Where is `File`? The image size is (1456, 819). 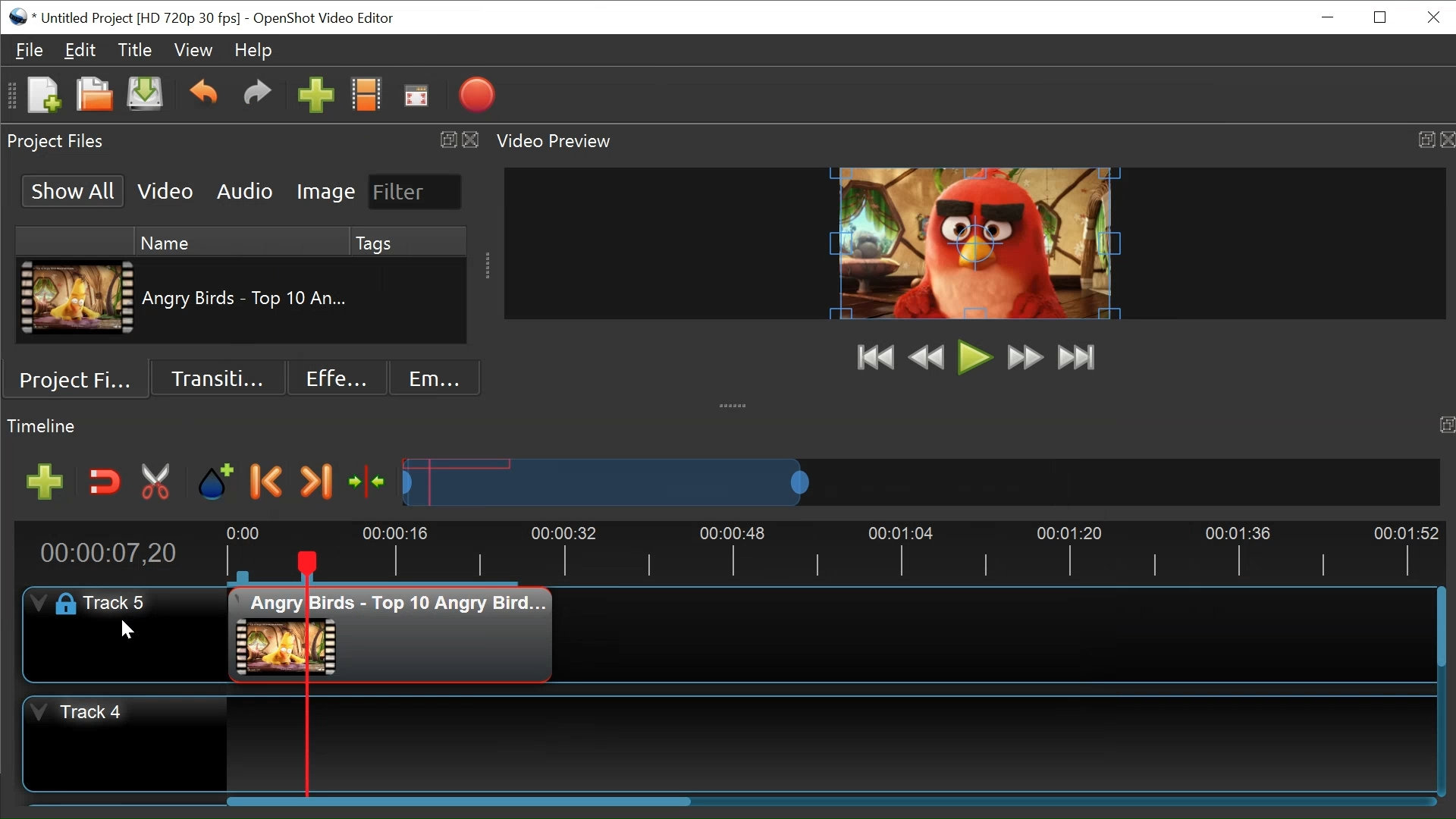 File is located at coordinates (30, 50).